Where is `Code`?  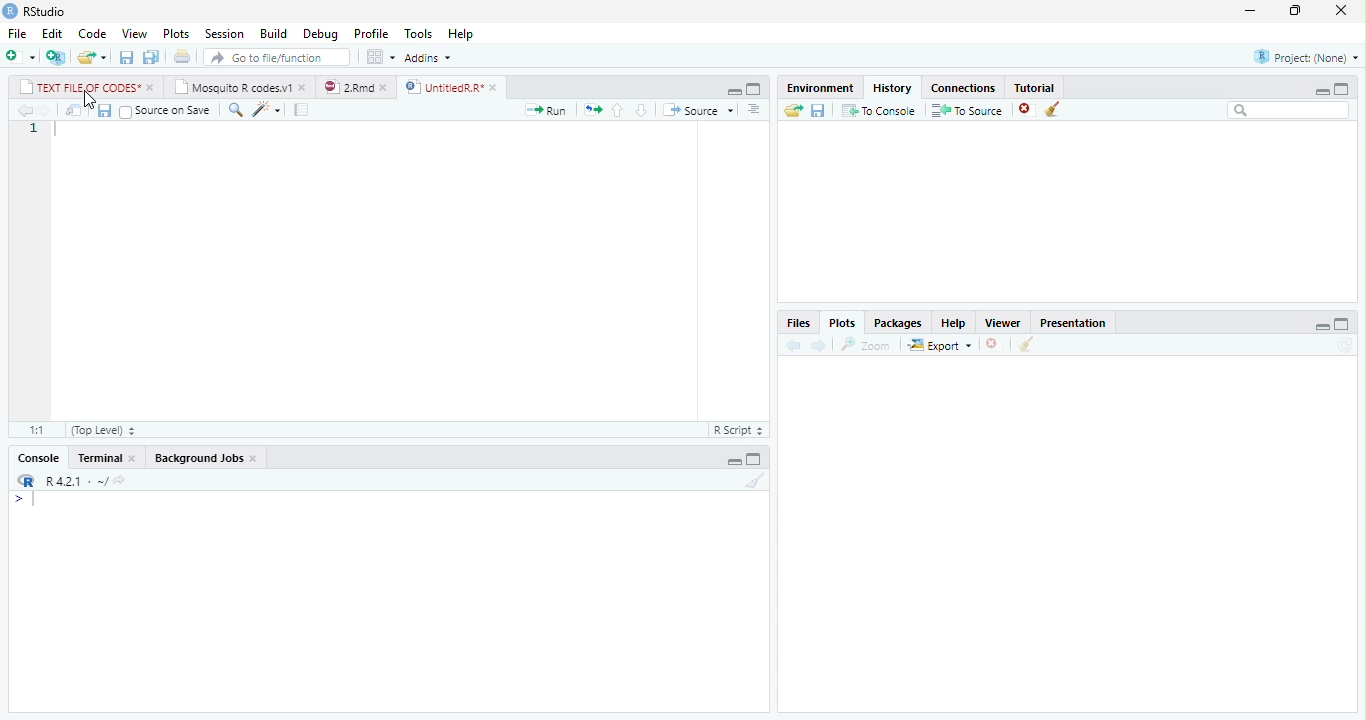
Code is located at coordinates (92, 34).